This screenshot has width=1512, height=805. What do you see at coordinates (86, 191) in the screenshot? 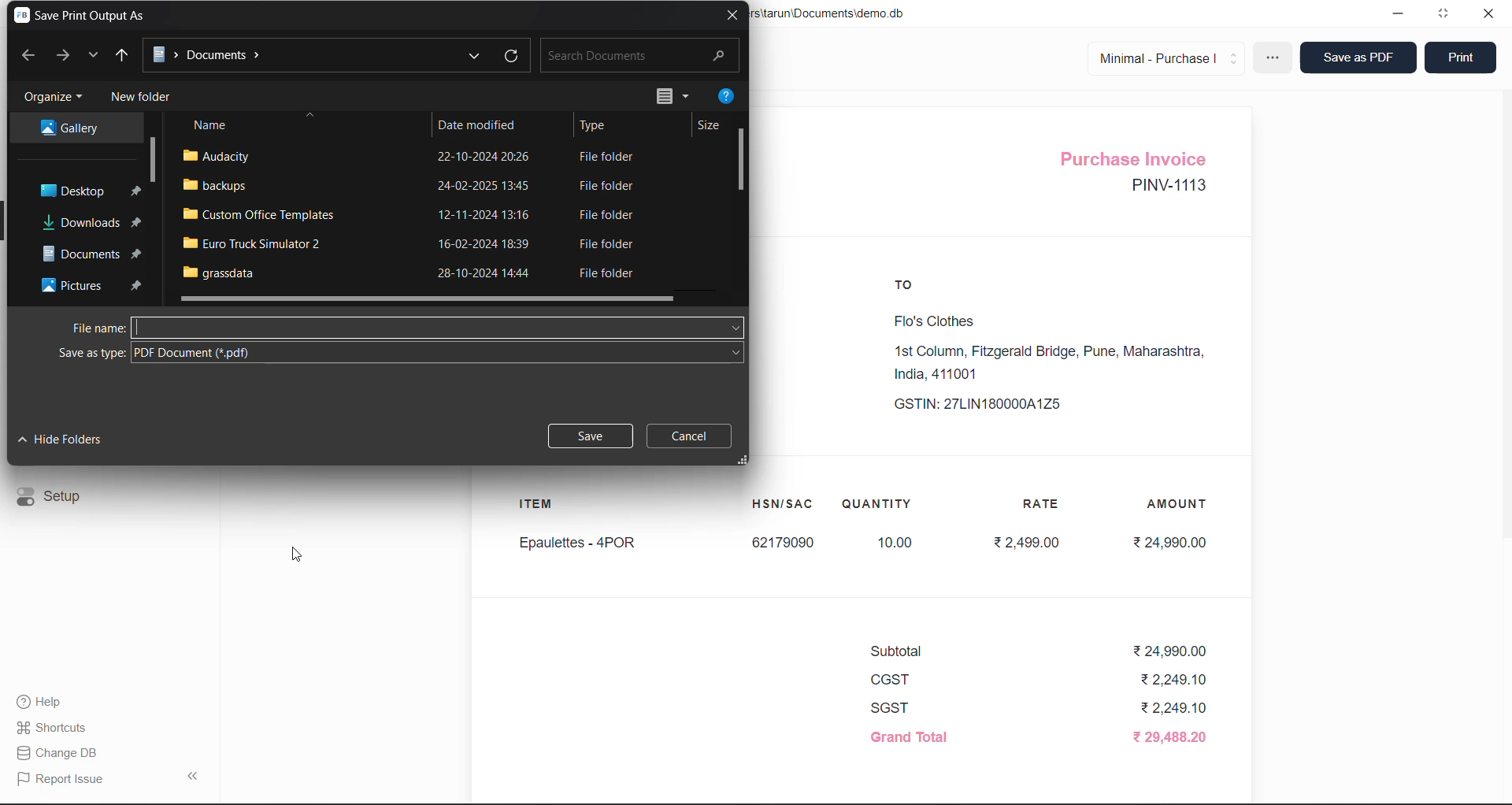
I see ` Desktop` at bounding box center [86, 191].